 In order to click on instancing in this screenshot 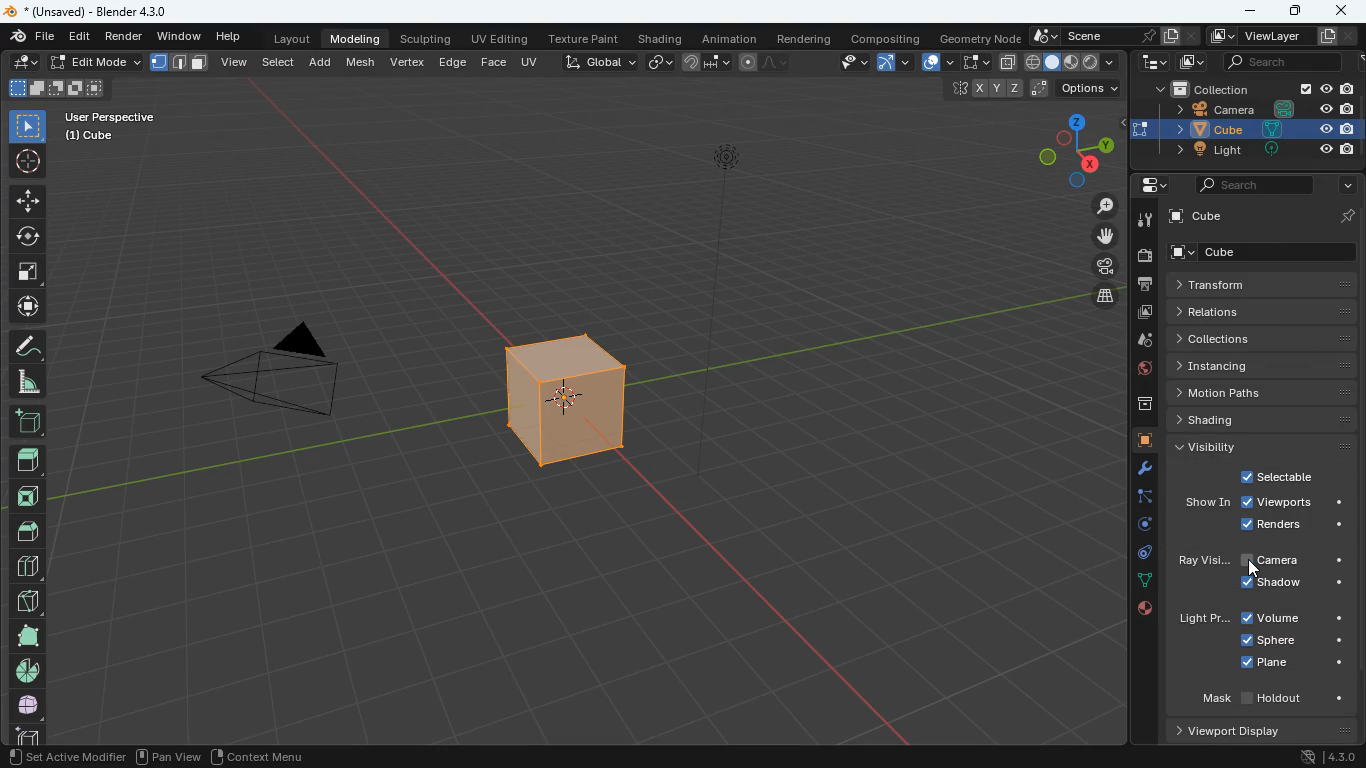, I will do `click(1257, 366)`.